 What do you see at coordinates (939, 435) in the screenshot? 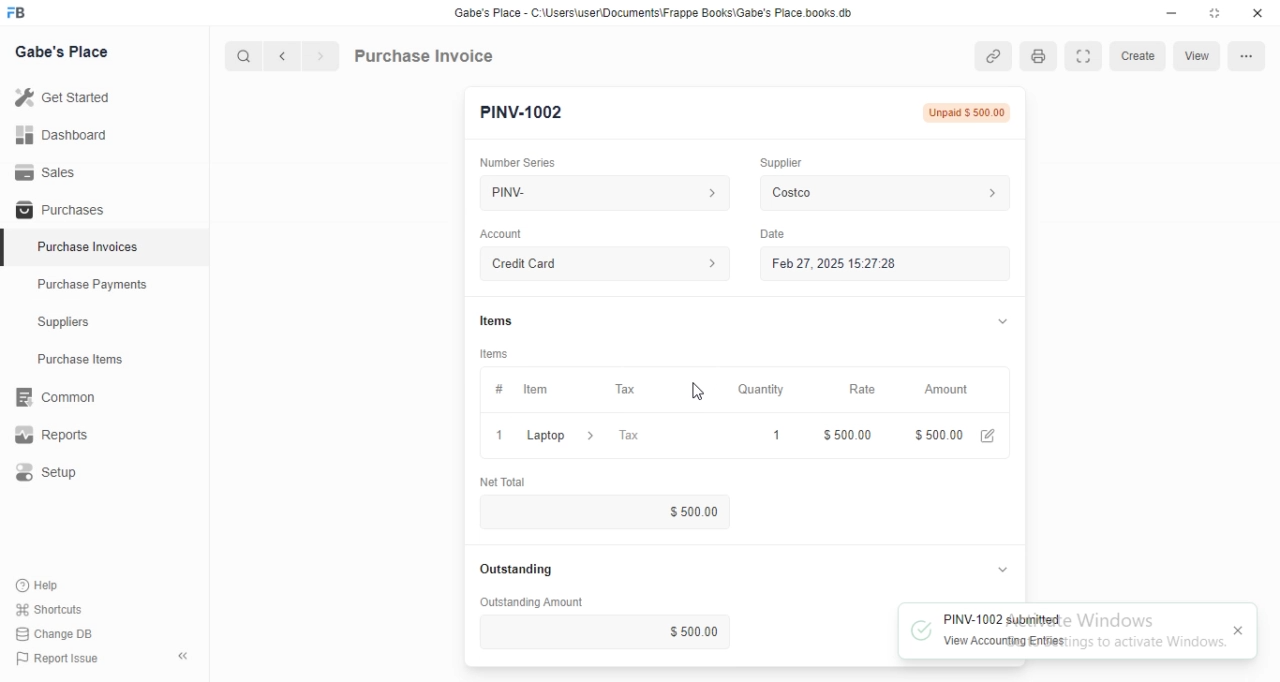
I see `$ 500.00` at bounding box center [939, 435].